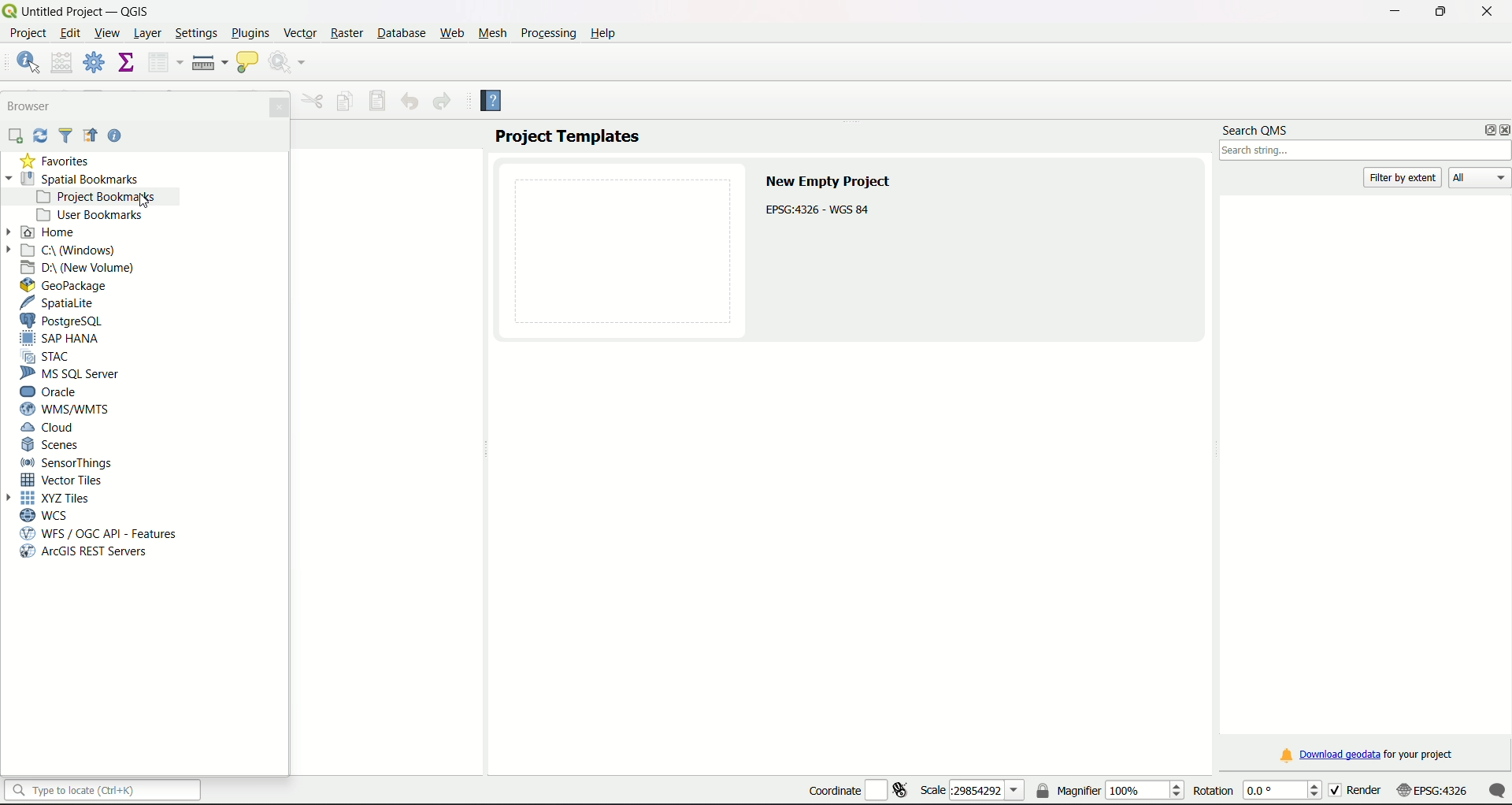  What do you see at coordinates (57, 391) in the screenshot?
I see `Oracle` at bounding box center [57, 391].